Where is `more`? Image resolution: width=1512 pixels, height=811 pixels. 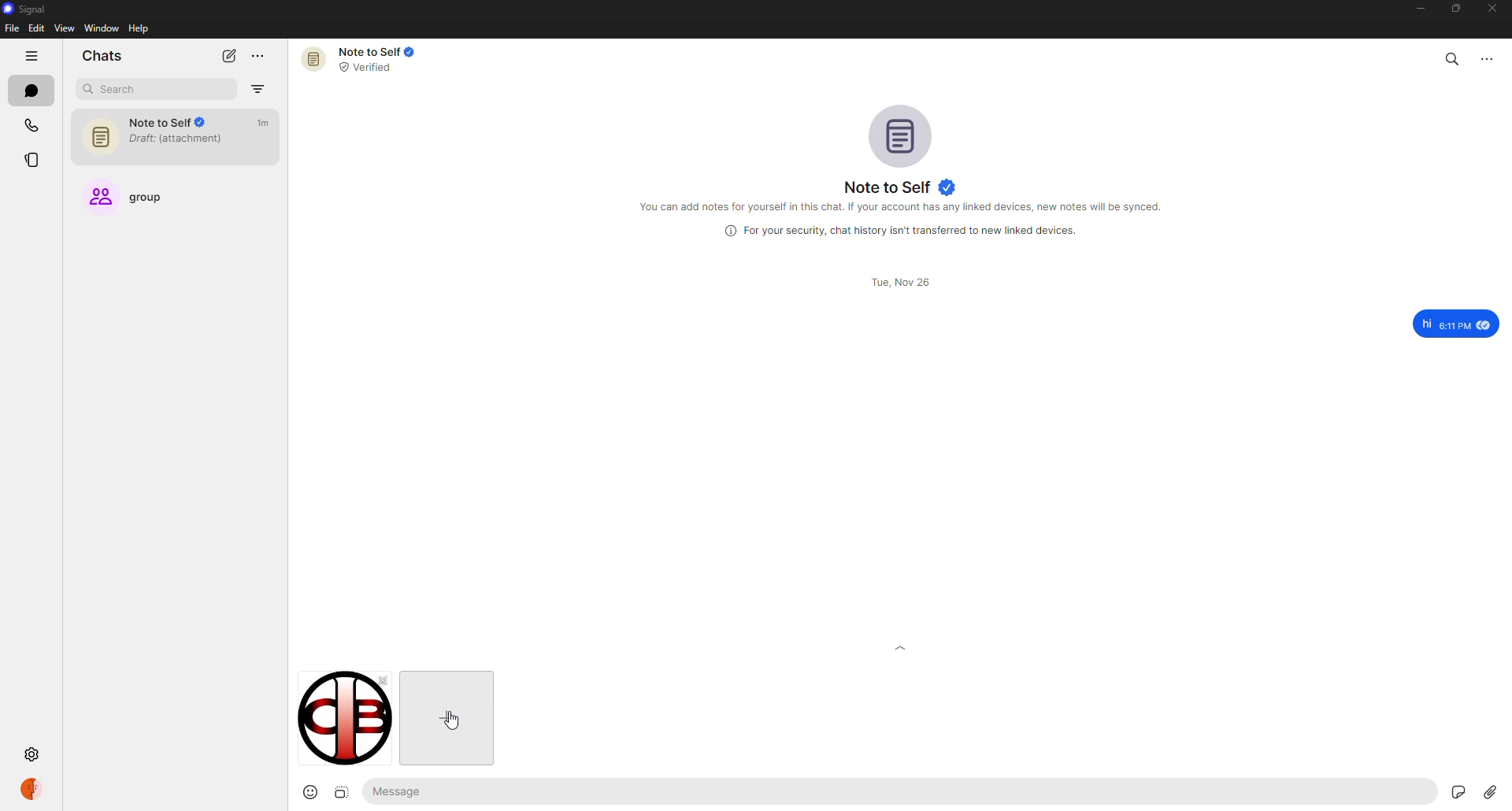
more is located at coordinates (260, 56).